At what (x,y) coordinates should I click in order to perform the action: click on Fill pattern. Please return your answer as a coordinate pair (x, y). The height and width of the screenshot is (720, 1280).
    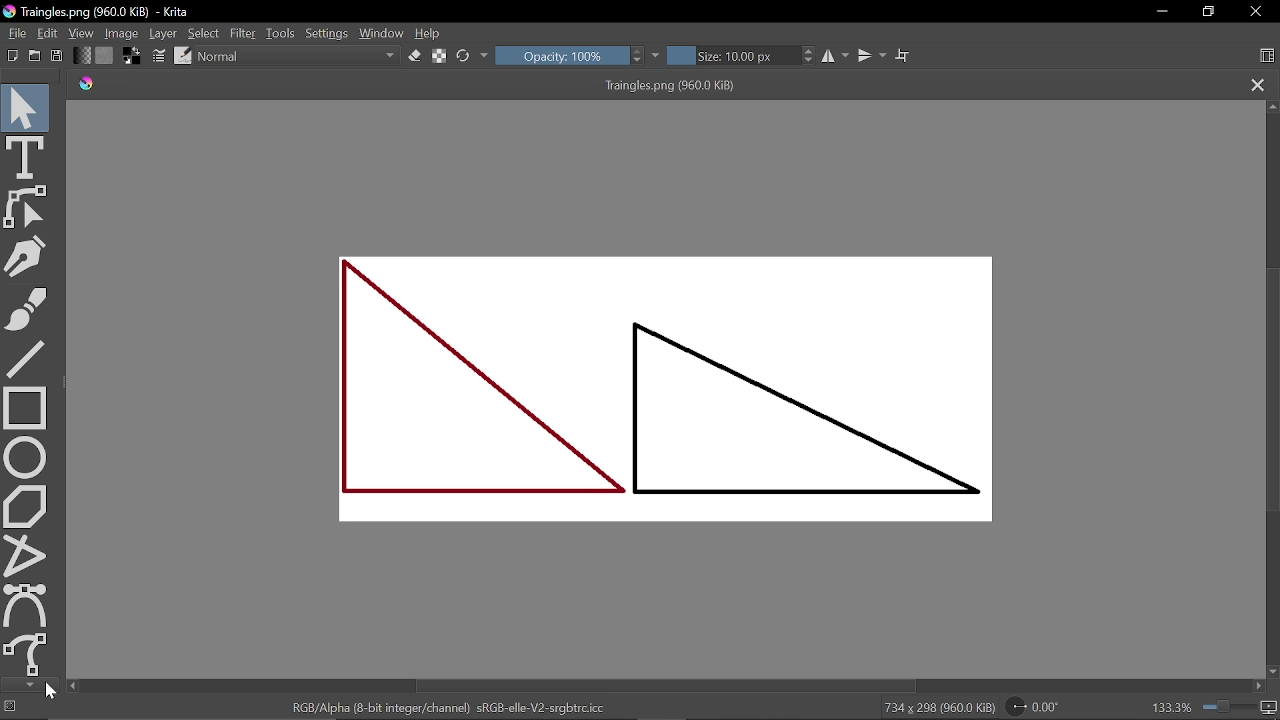
    Looking at the image, I should click on (105, 55).